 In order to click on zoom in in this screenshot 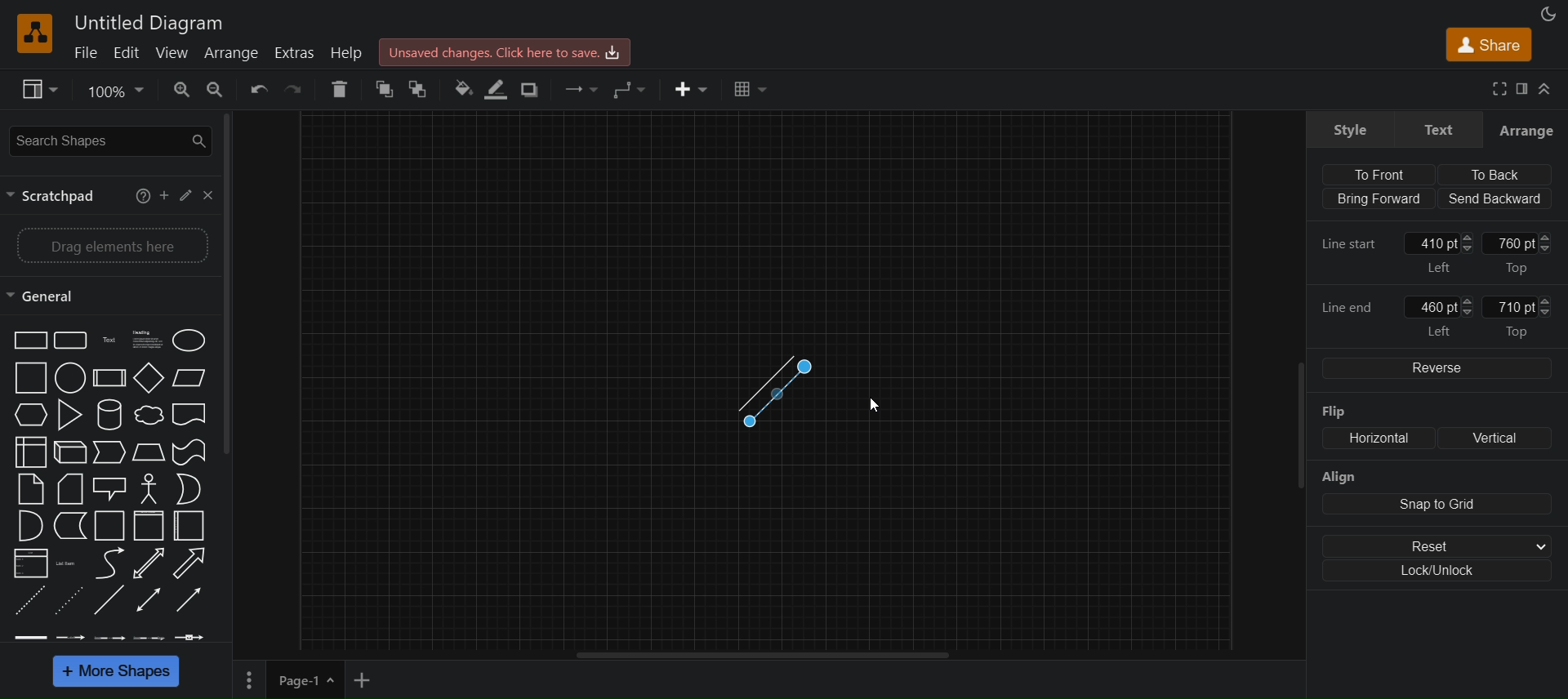, I will do `click(181, 89)`.